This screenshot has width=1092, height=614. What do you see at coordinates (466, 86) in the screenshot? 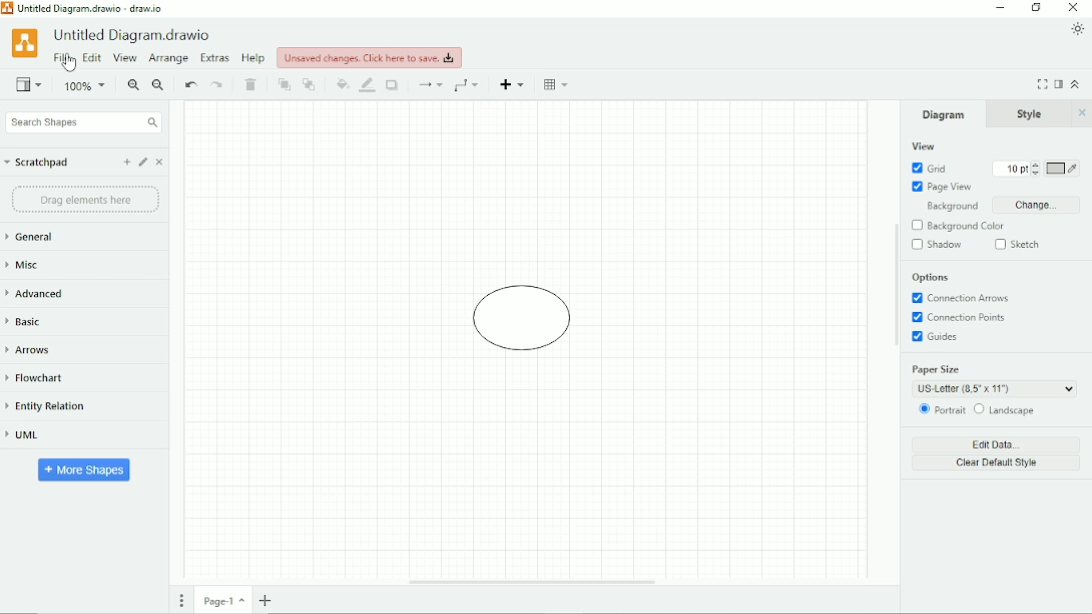
I see `Waypoints` at bounding box center [466, 86].